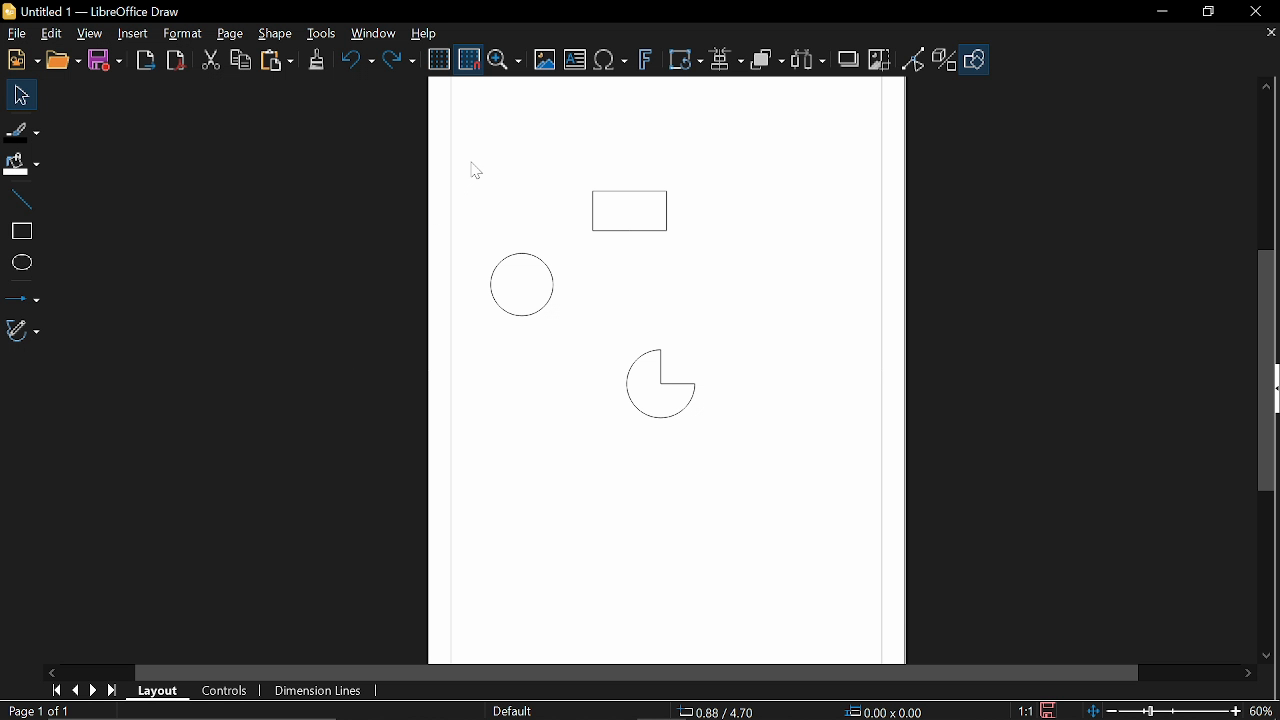 Image resolution: width=1280 pixels, height=720 pixels. I want to click on Page 1 of 1, so click(38, 711).